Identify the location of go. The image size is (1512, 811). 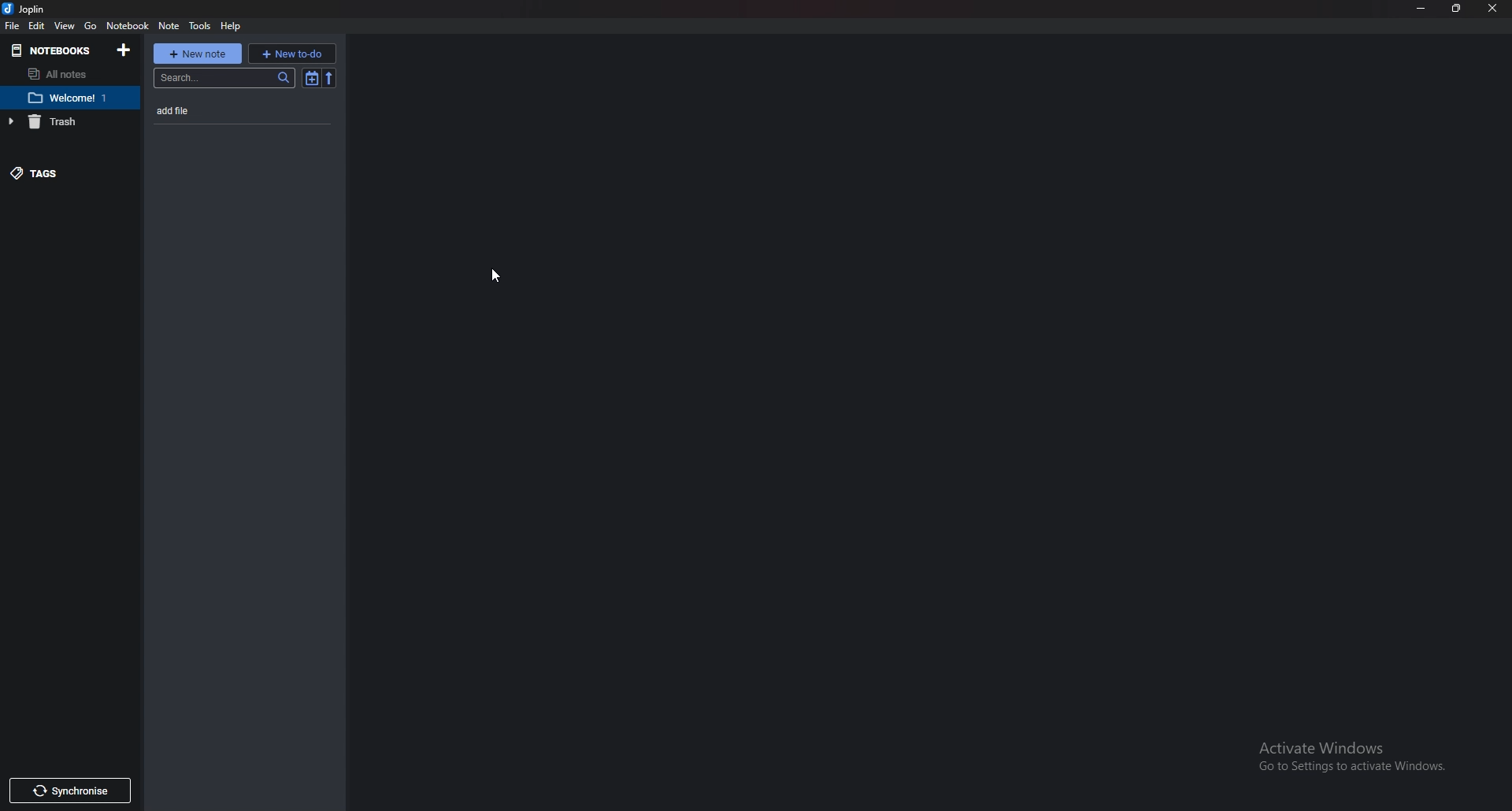
(90, 24).